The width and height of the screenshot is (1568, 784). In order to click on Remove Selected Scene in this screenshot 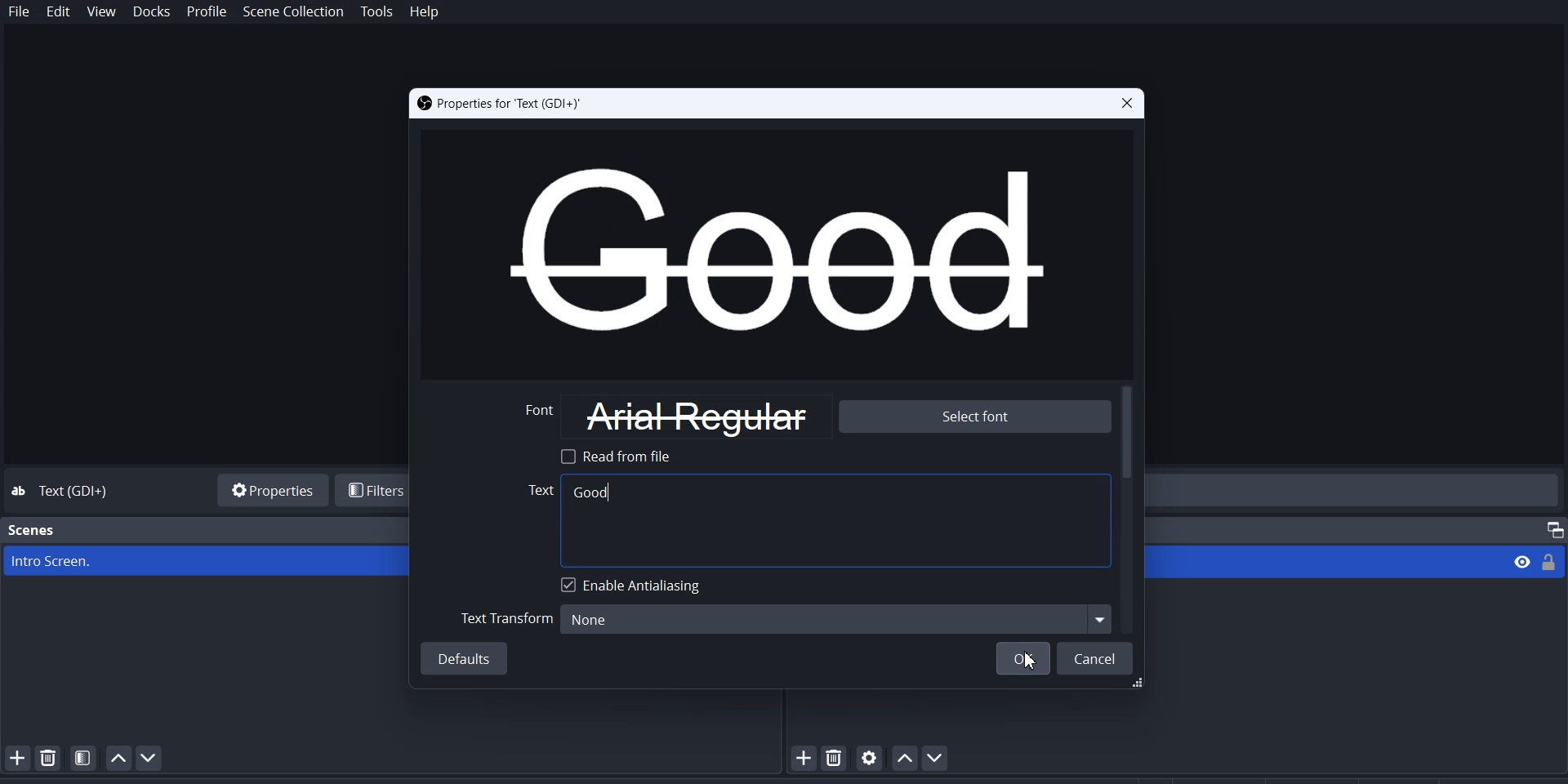, I will do `click(49, 757)`.